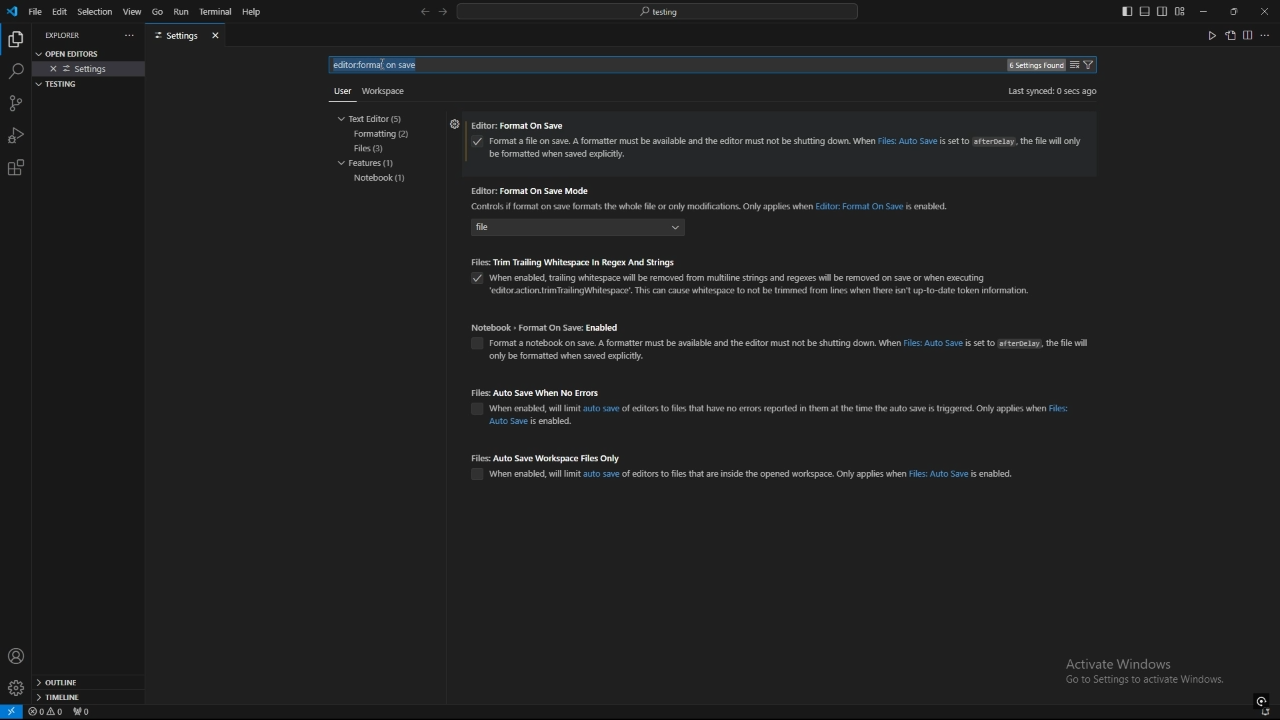 The width and height of the screenshot is (1280, 720). What do you see at coordinates (90, 69) in the screenshot?
I see `settings` at bounding box center [90, 69].